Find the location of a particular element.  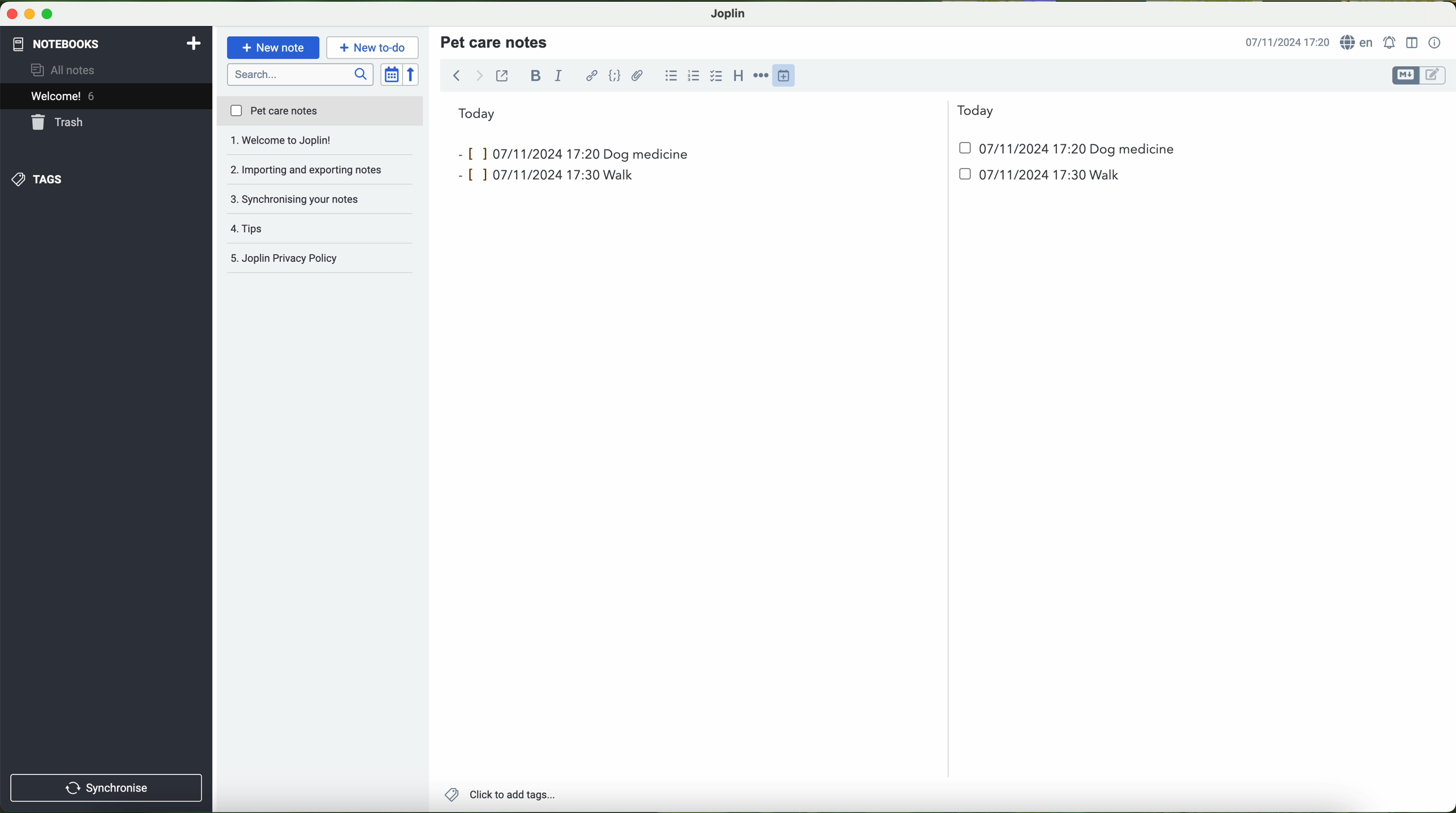

language is located at coordinates (1359, 43).